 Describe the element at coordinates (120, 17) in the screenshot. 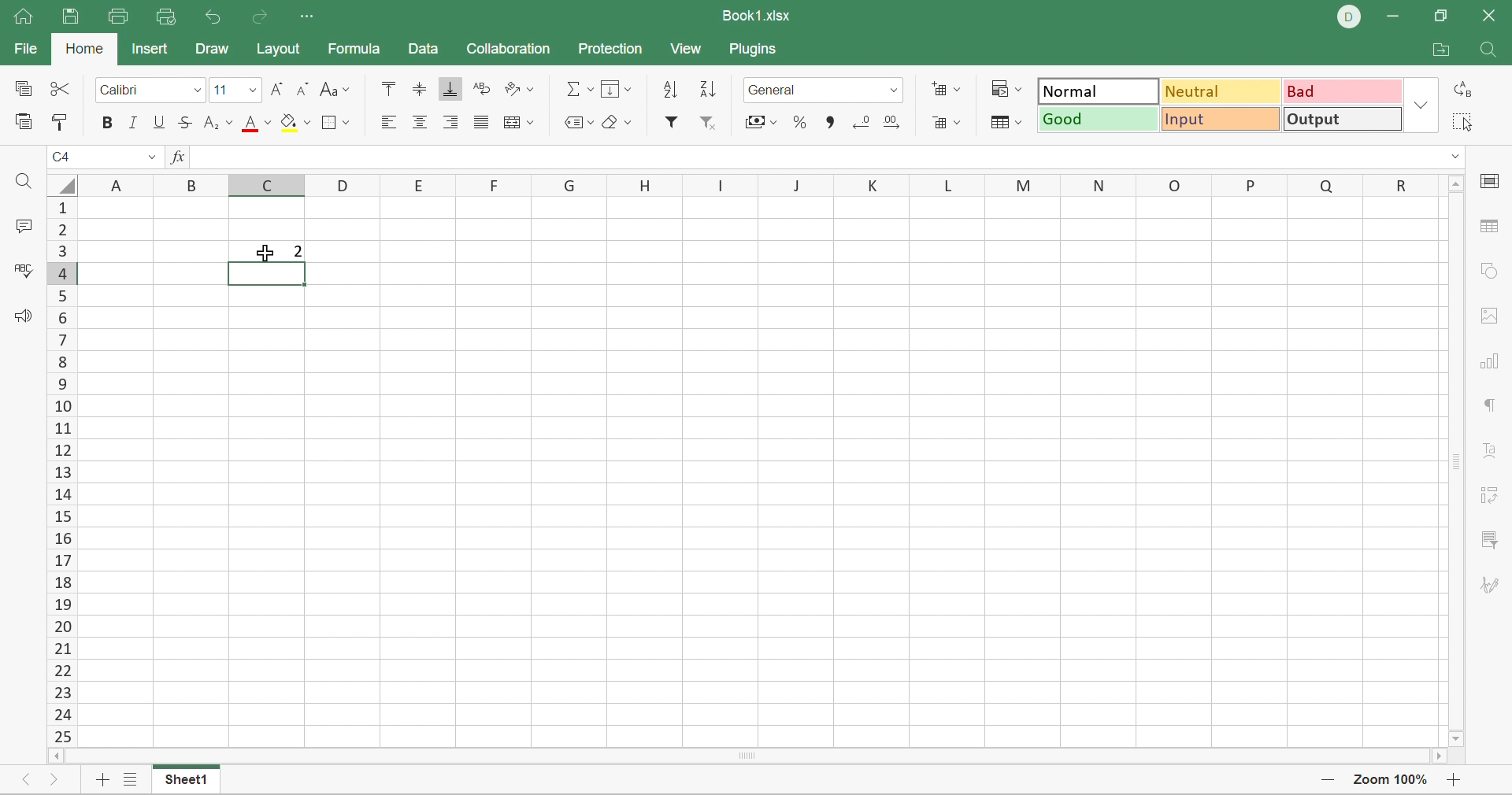

I see `Print` at that location.